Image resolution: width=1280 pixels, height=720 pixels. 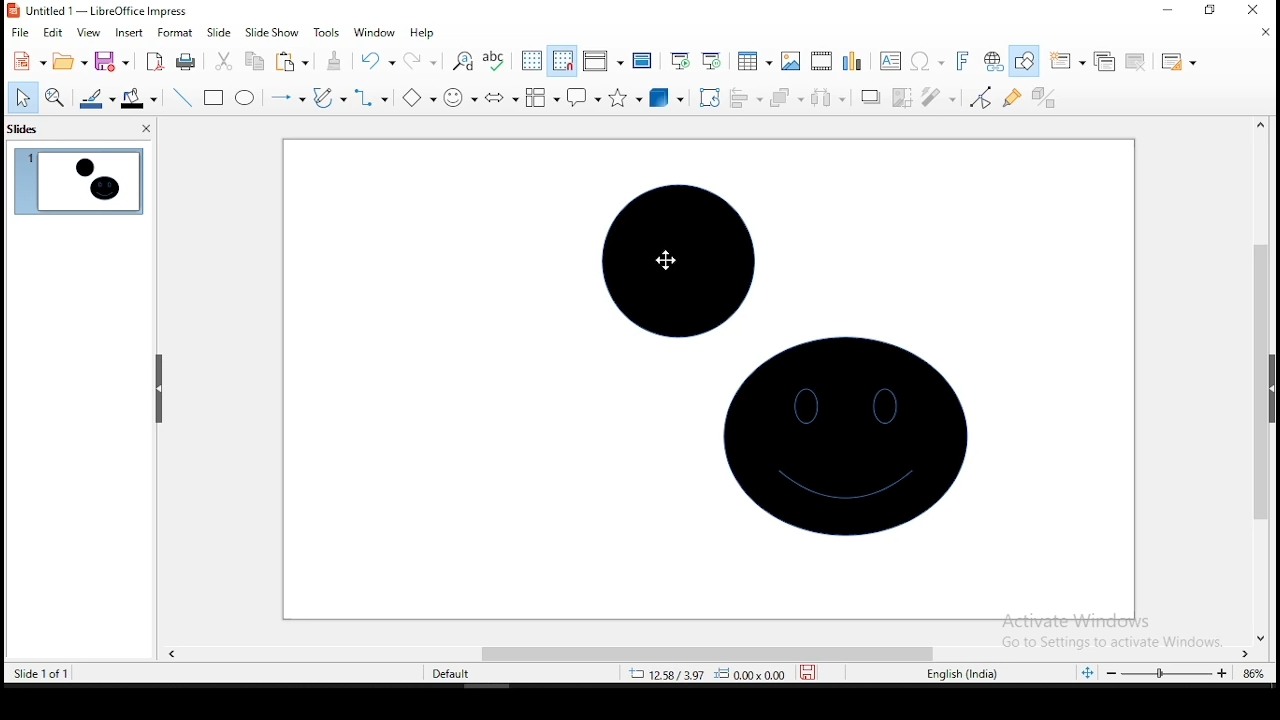 What do you see at coordinates (112, 63) in the screenshot?
I see `save` at bounding box center [112, 63].